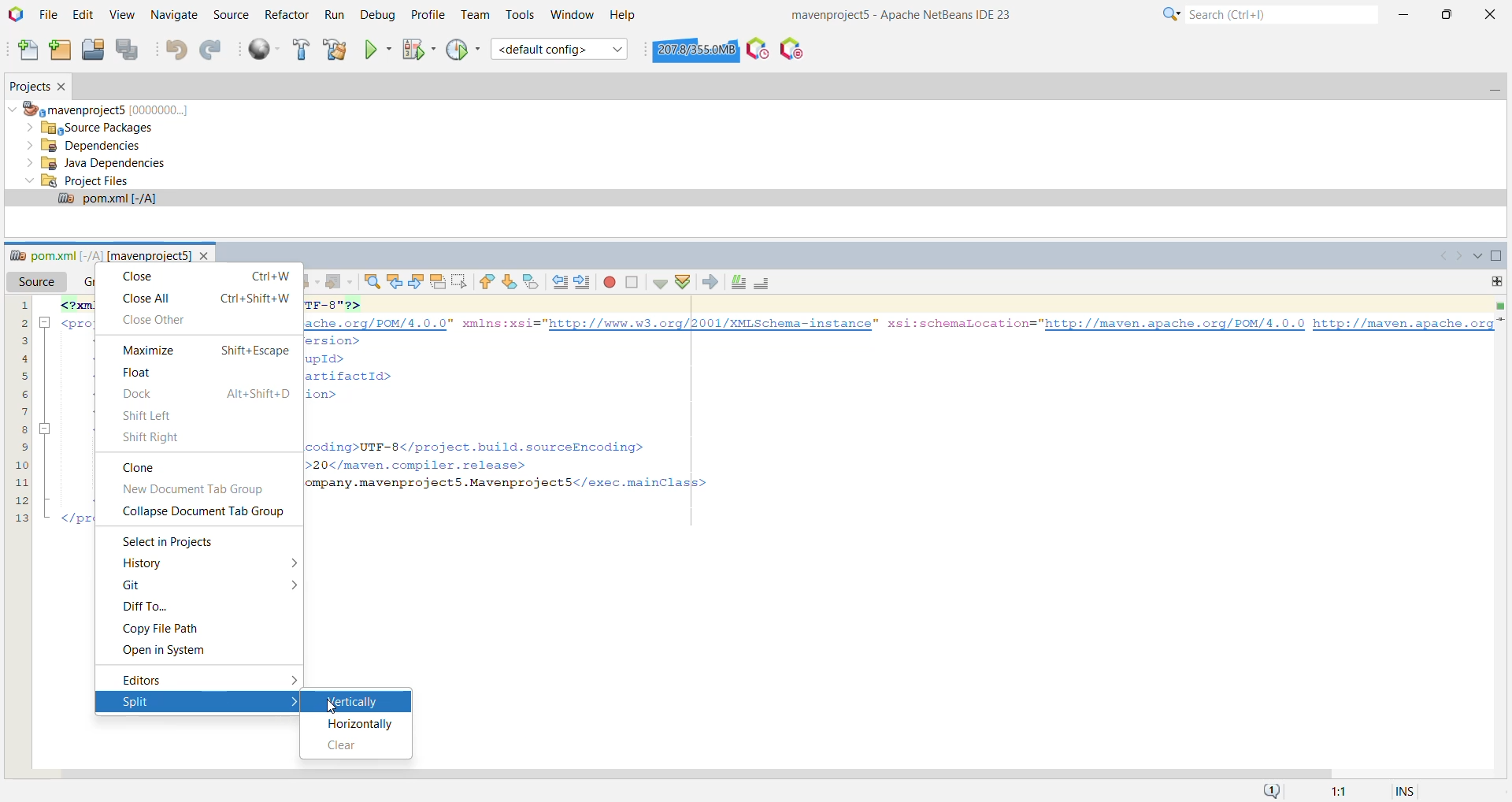 Image resolution: width=1512 pixels, height=802 pixels. What do you see at coordinates (39, 282) in the screenshot?
I see `Source` at bounding box center [39, 282].